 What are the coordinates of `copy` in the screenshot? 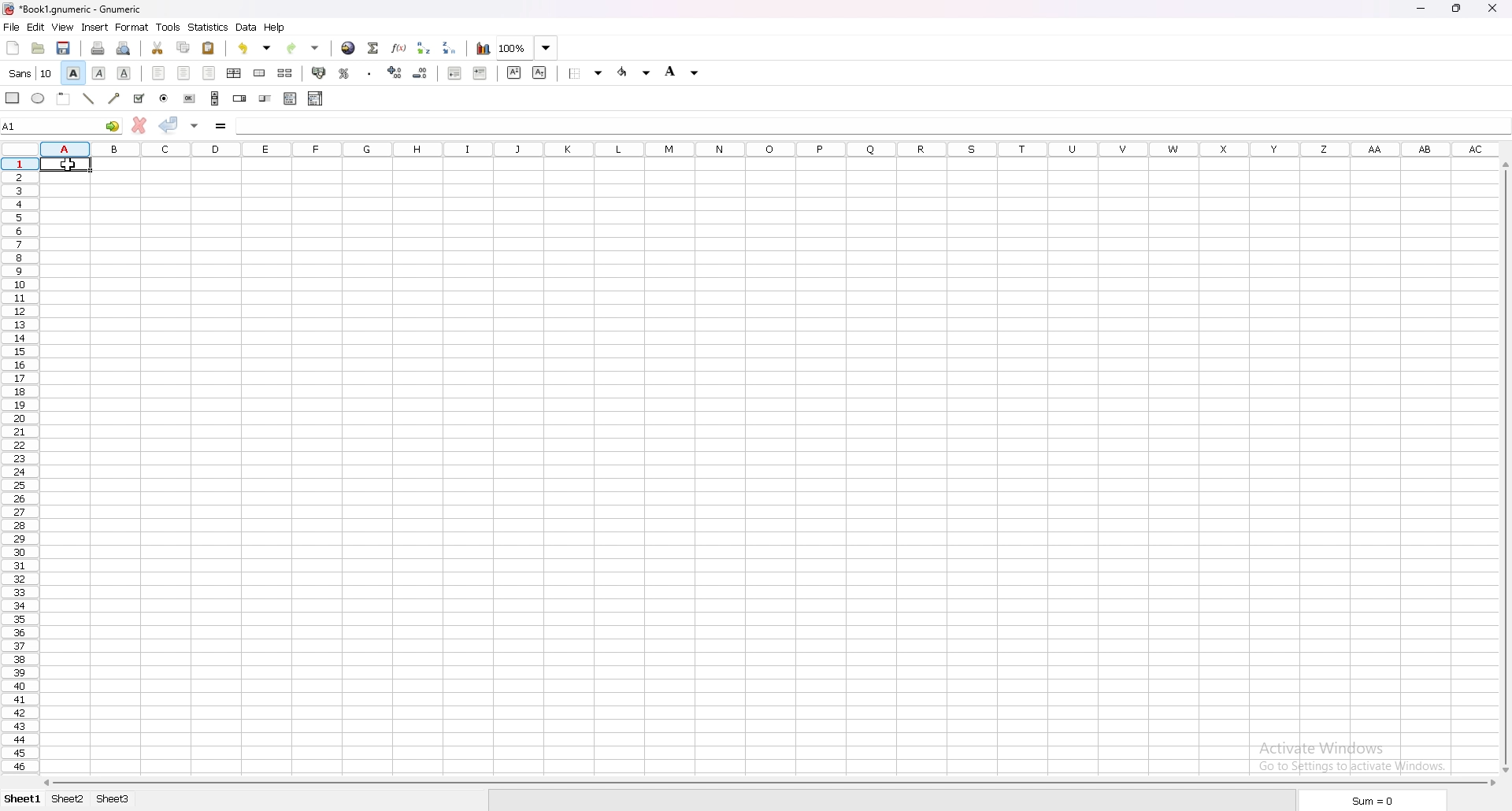 It's located at (183, 48).